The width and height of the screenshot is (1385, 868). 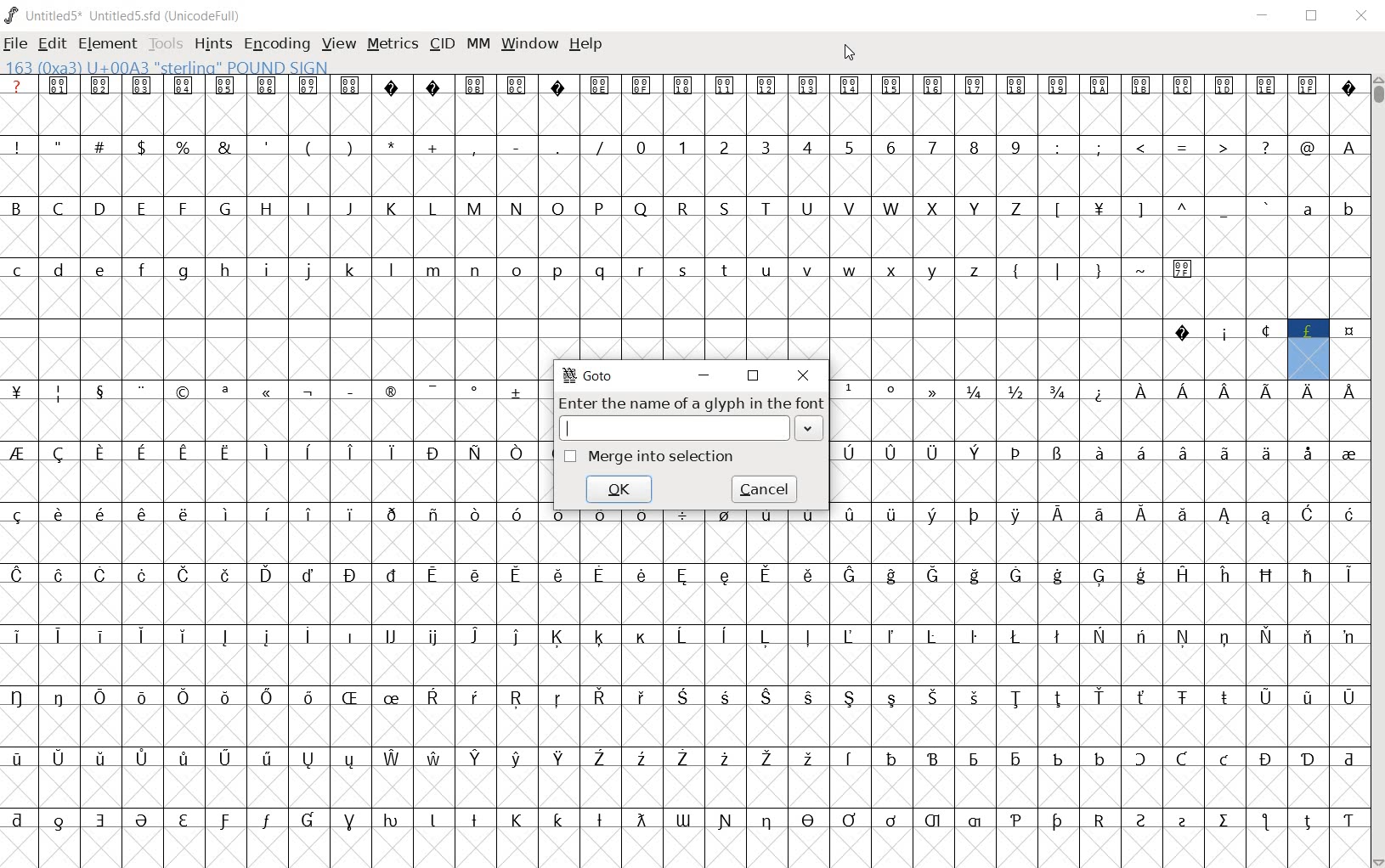 What do you see at coordinates (760, 488) in the screenshot?
I see `cancel` at bounding box center [760, 488].